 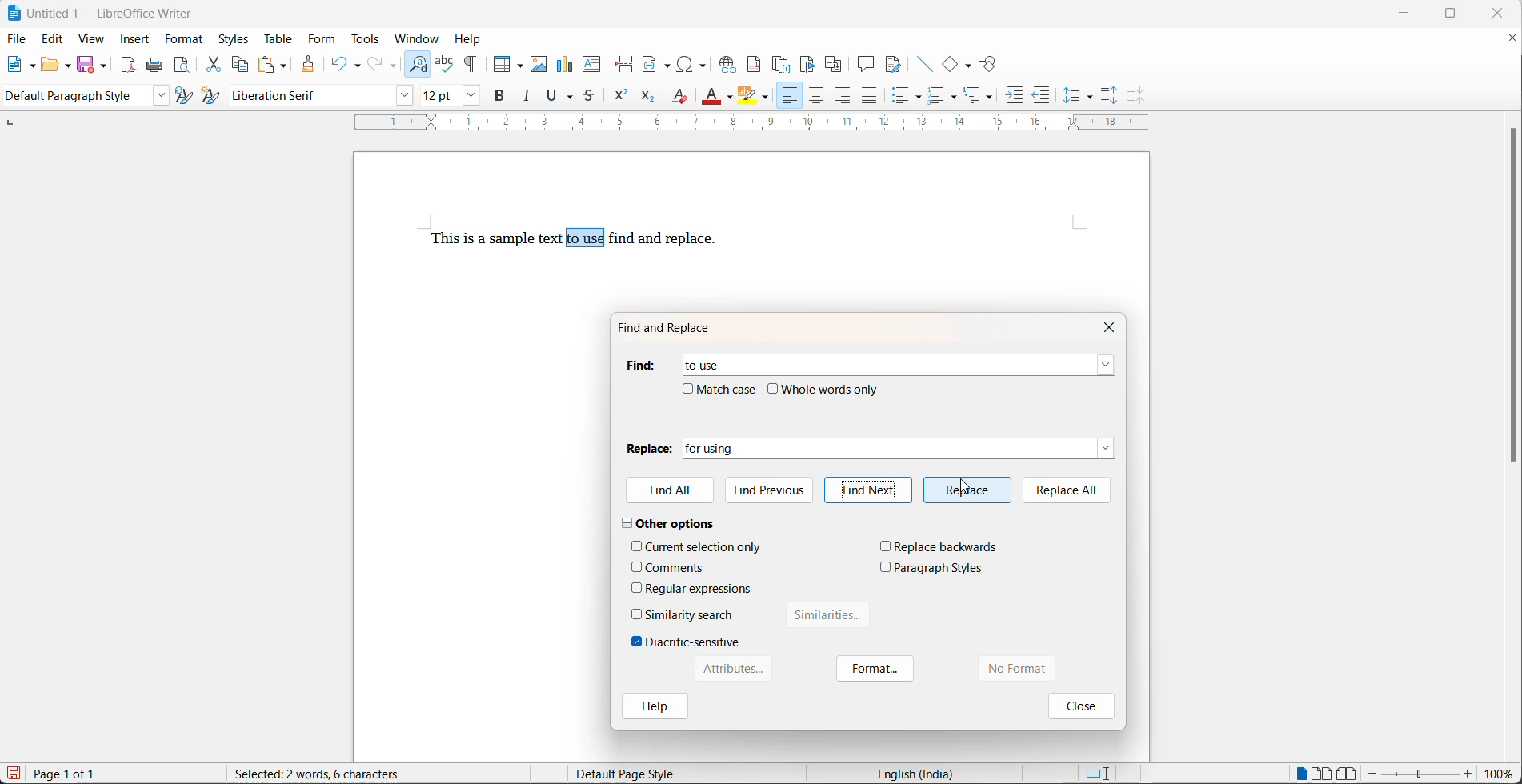 I want to click on This is a sample text to use find and replace., so click(x=574, y=241).